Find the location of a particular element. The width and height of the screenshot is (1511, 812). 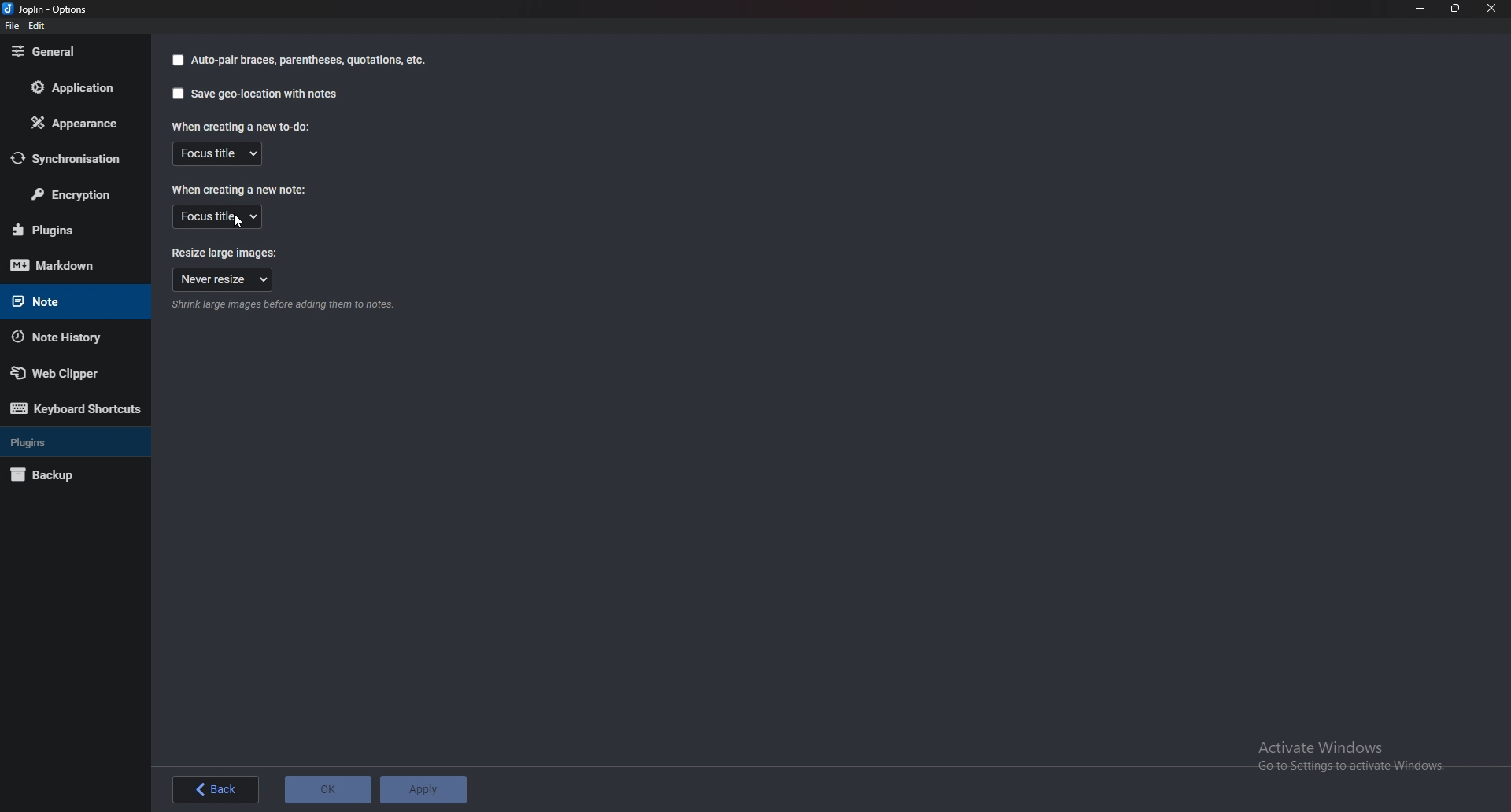

Plugins is located at coordinates (73, 441).